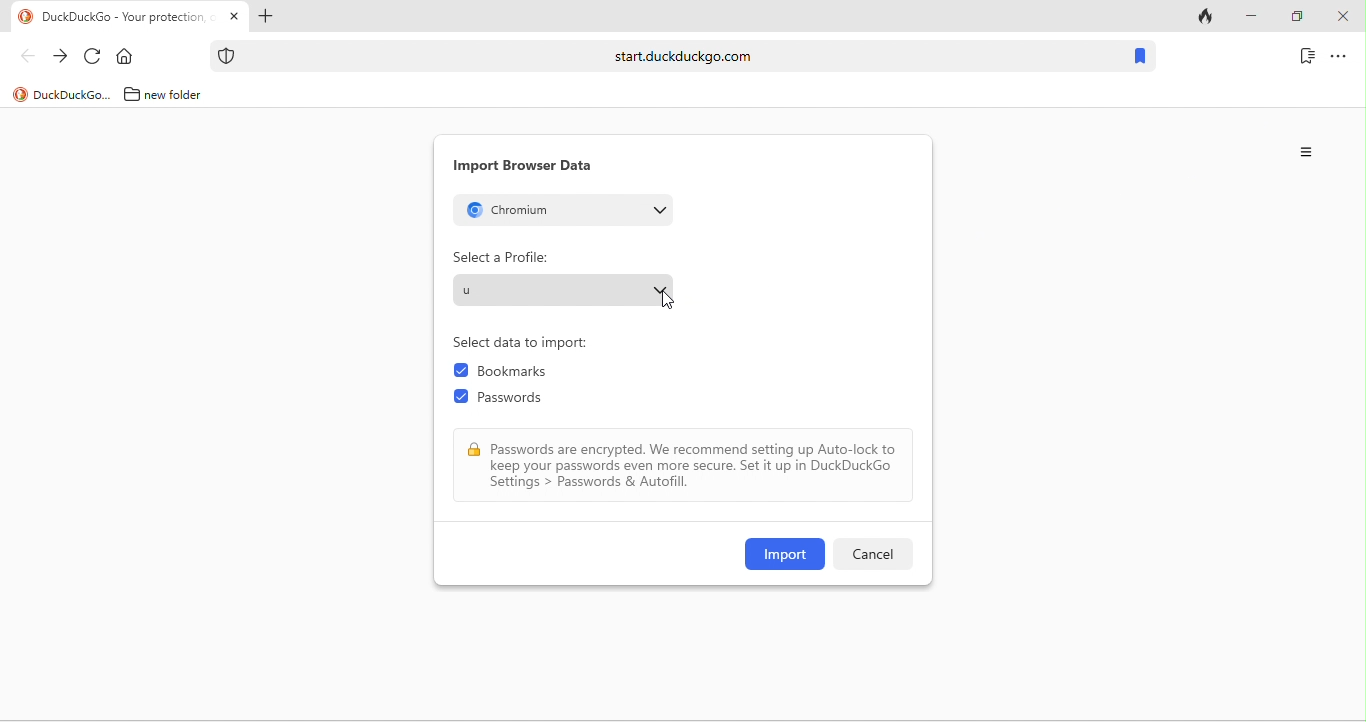 This screenshot has height=722, width=1366. I want to click on forward, so click(60, 57).